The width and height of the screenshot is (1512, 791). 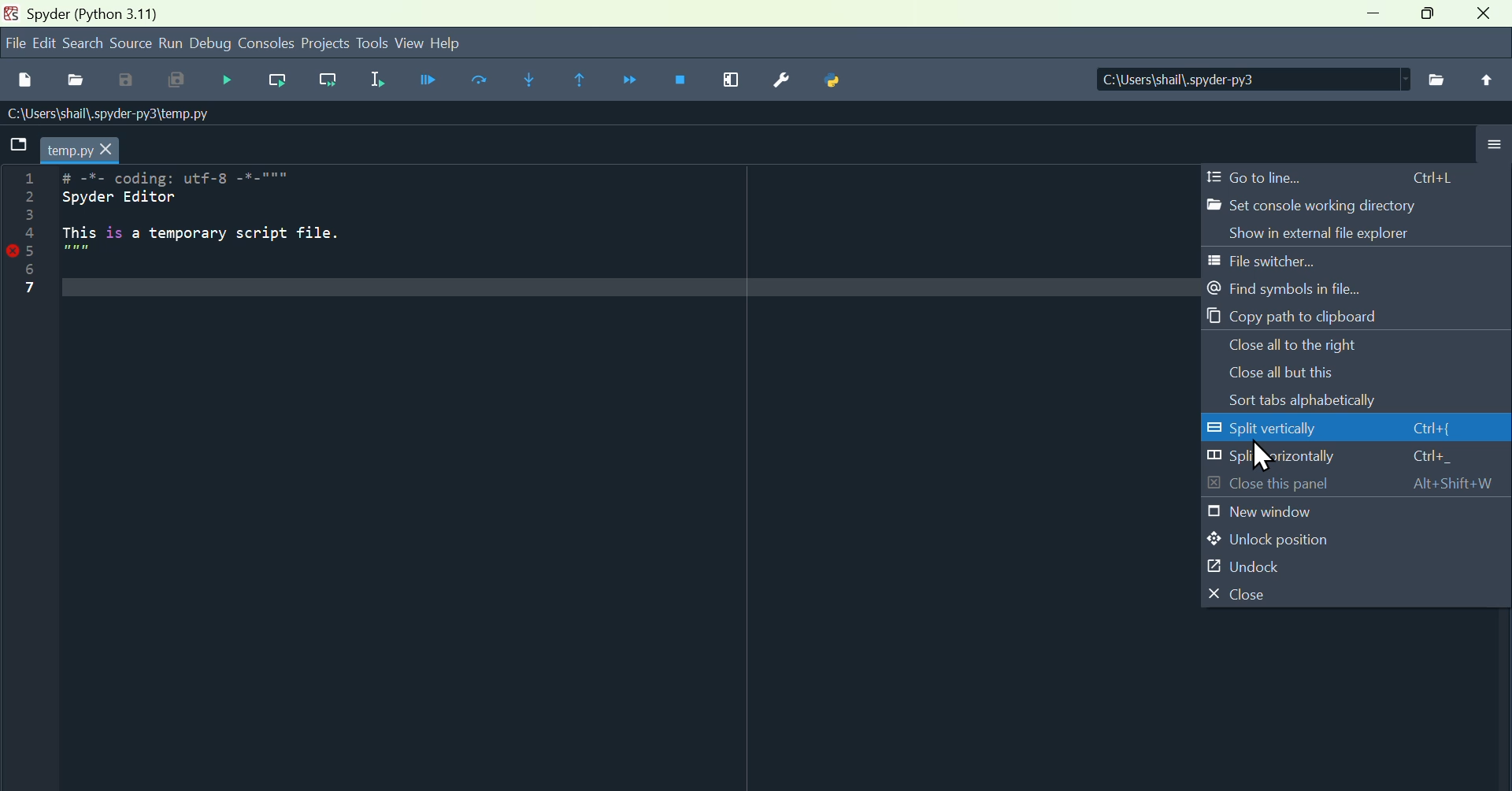 I want to click on file, so click(x=11, y=46).